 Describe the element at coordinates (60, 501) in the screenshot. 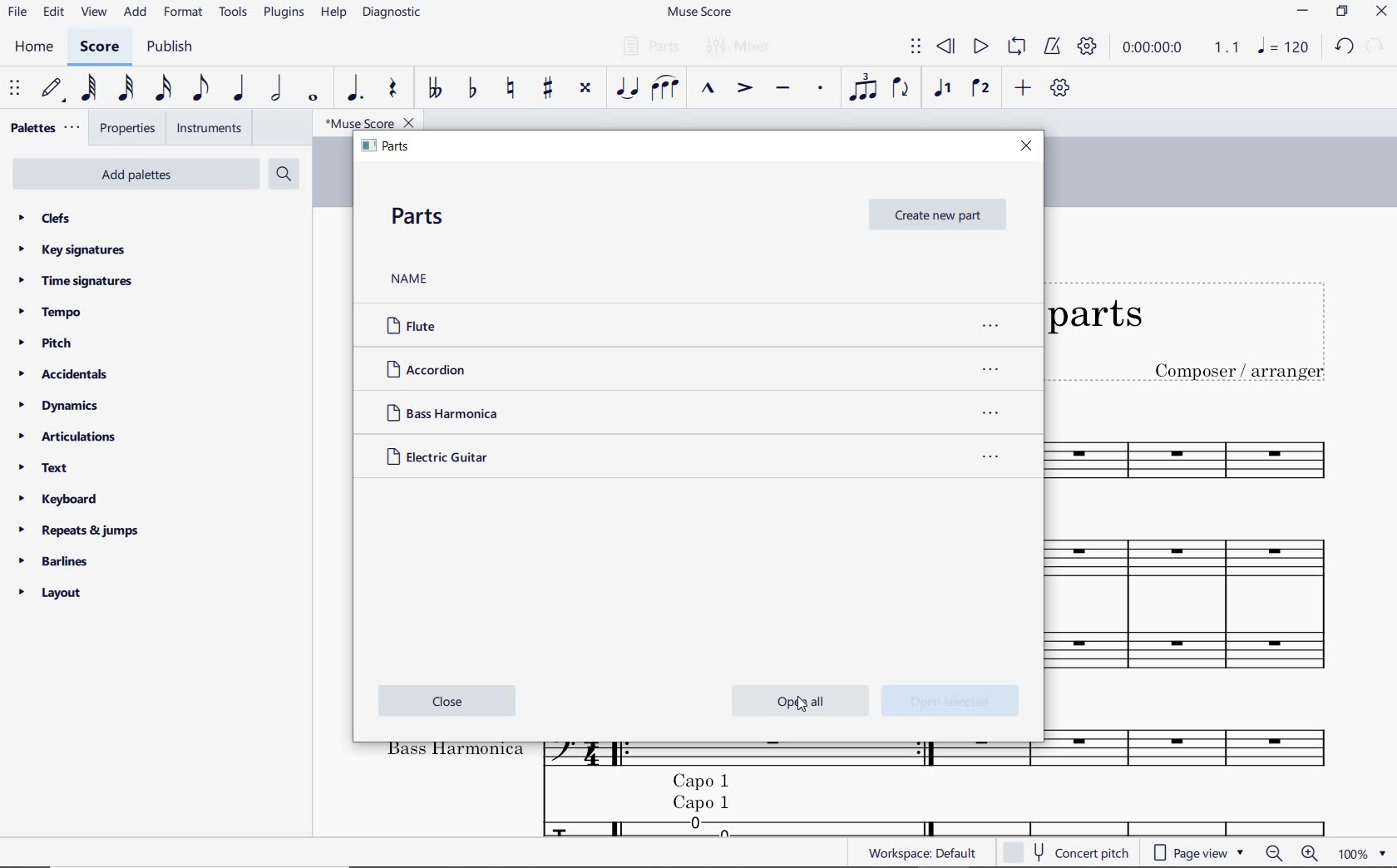

I see `keyboard` at that location.